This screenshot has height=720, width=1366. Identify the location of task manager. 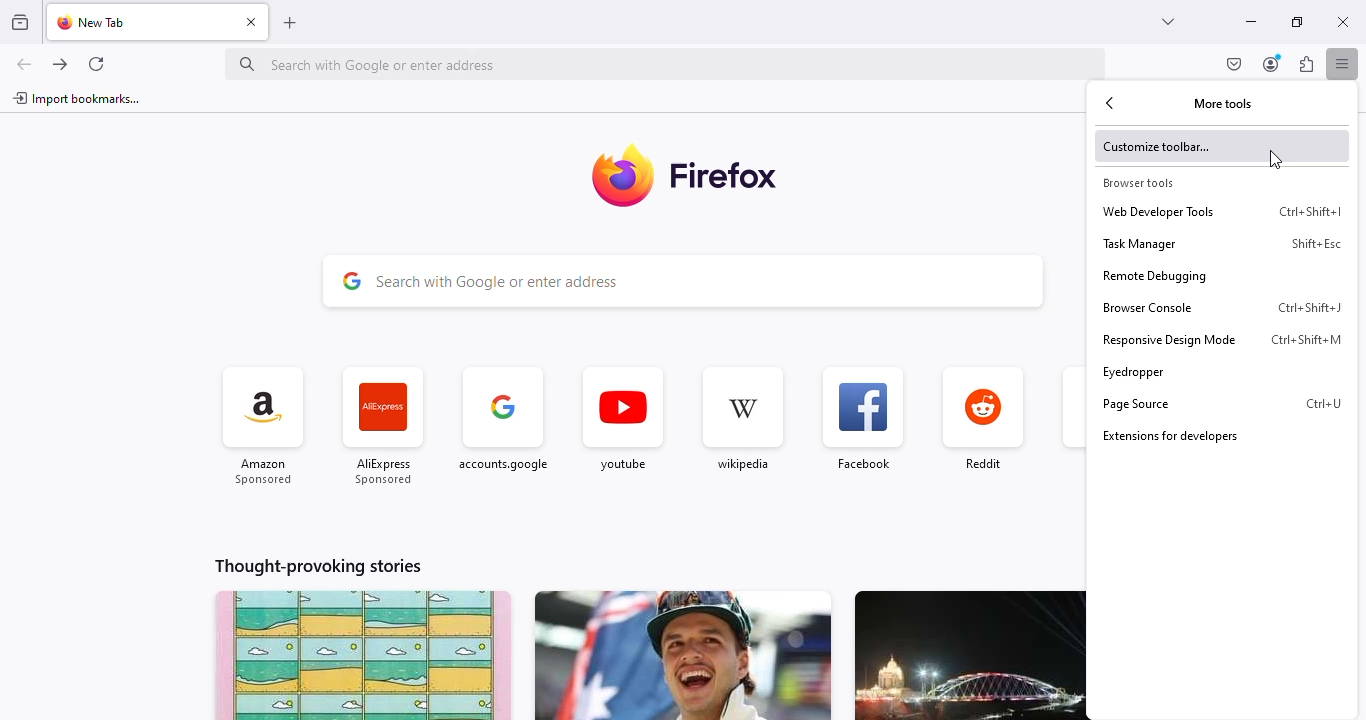
(1187, 244).